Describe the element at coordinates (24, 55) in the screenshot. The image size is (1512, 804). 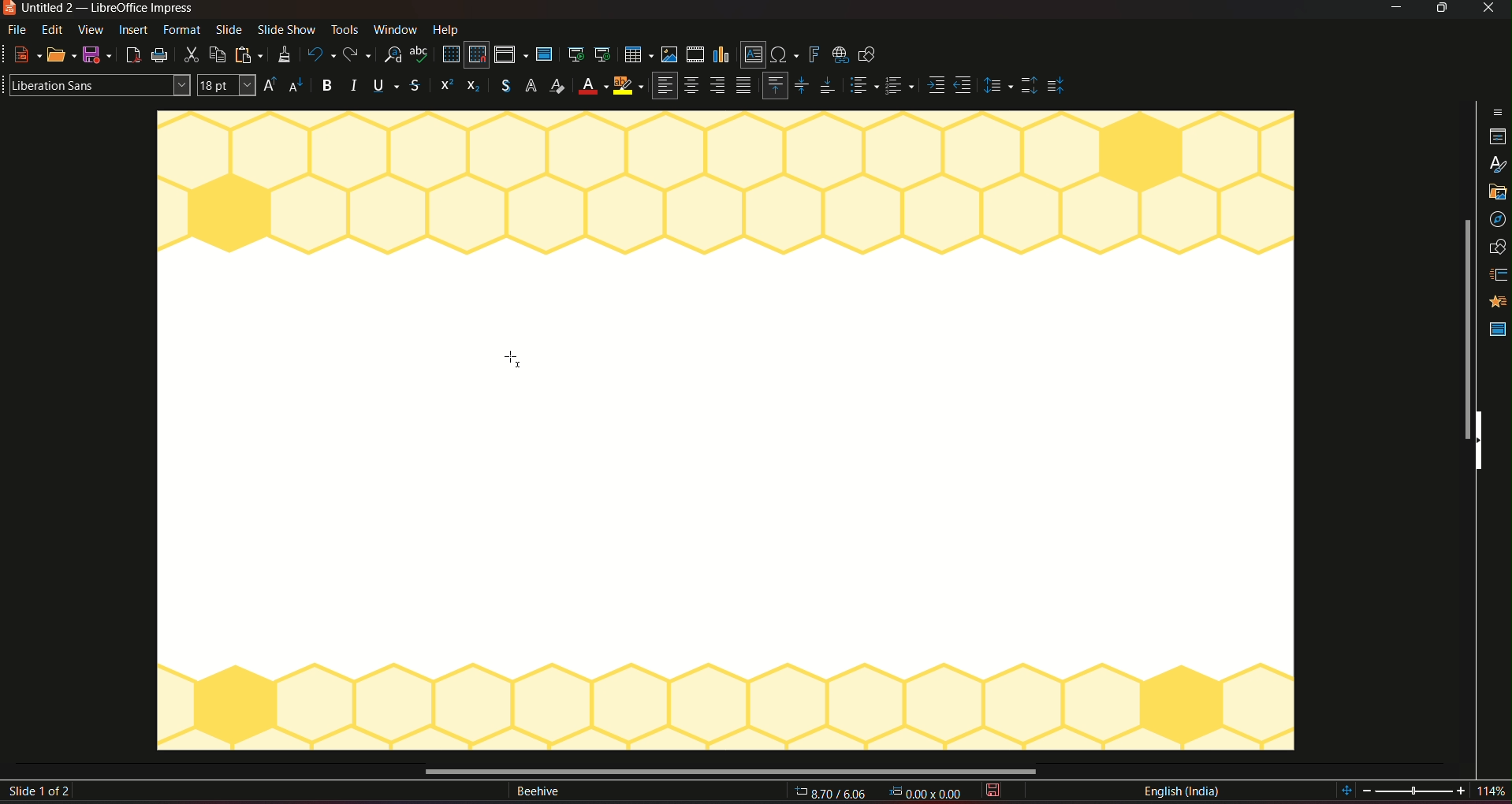
I see `new` at that location.